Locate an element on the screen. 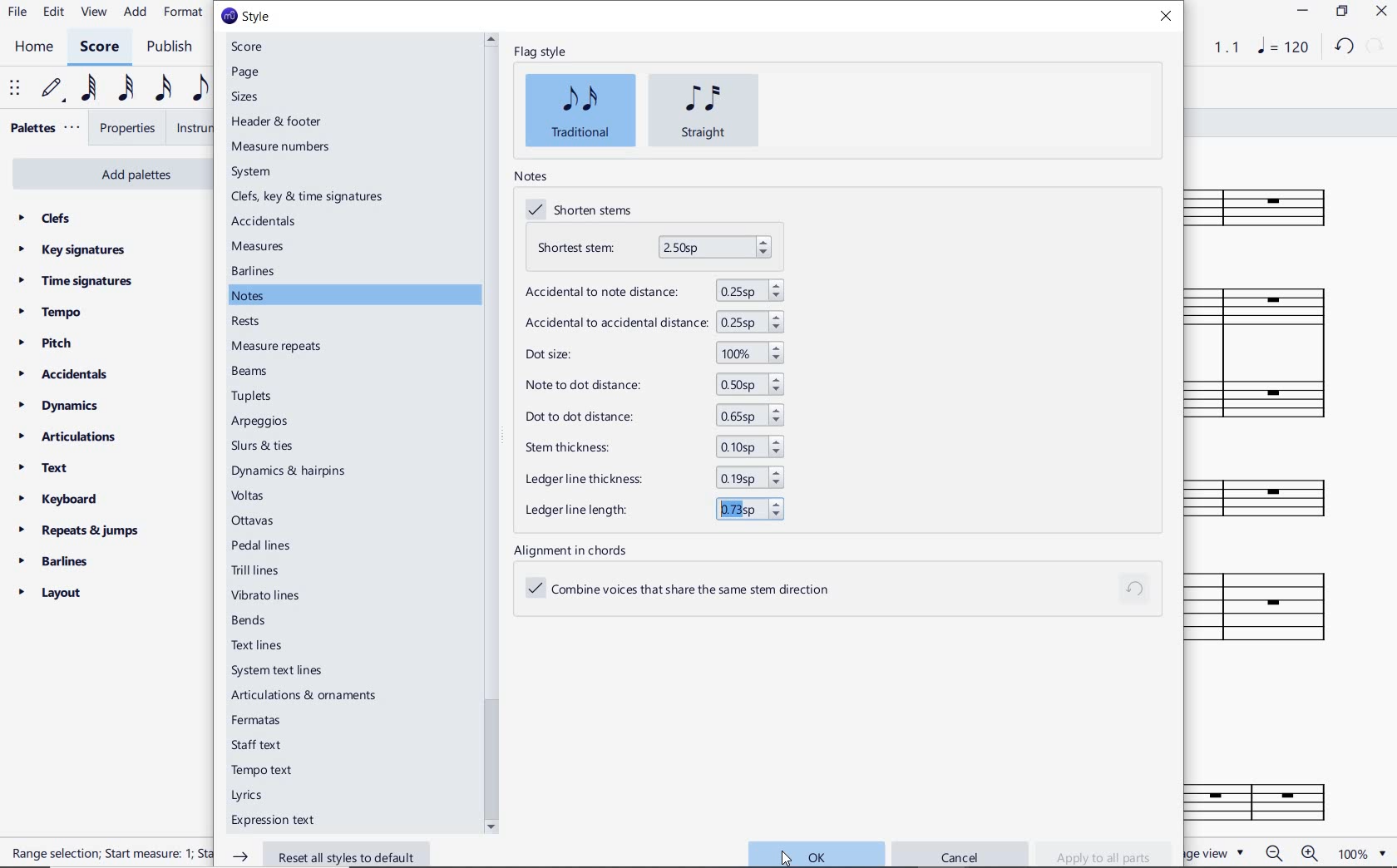 The image size is (1397, 868). keyboard is located at coordinates (61, 499).